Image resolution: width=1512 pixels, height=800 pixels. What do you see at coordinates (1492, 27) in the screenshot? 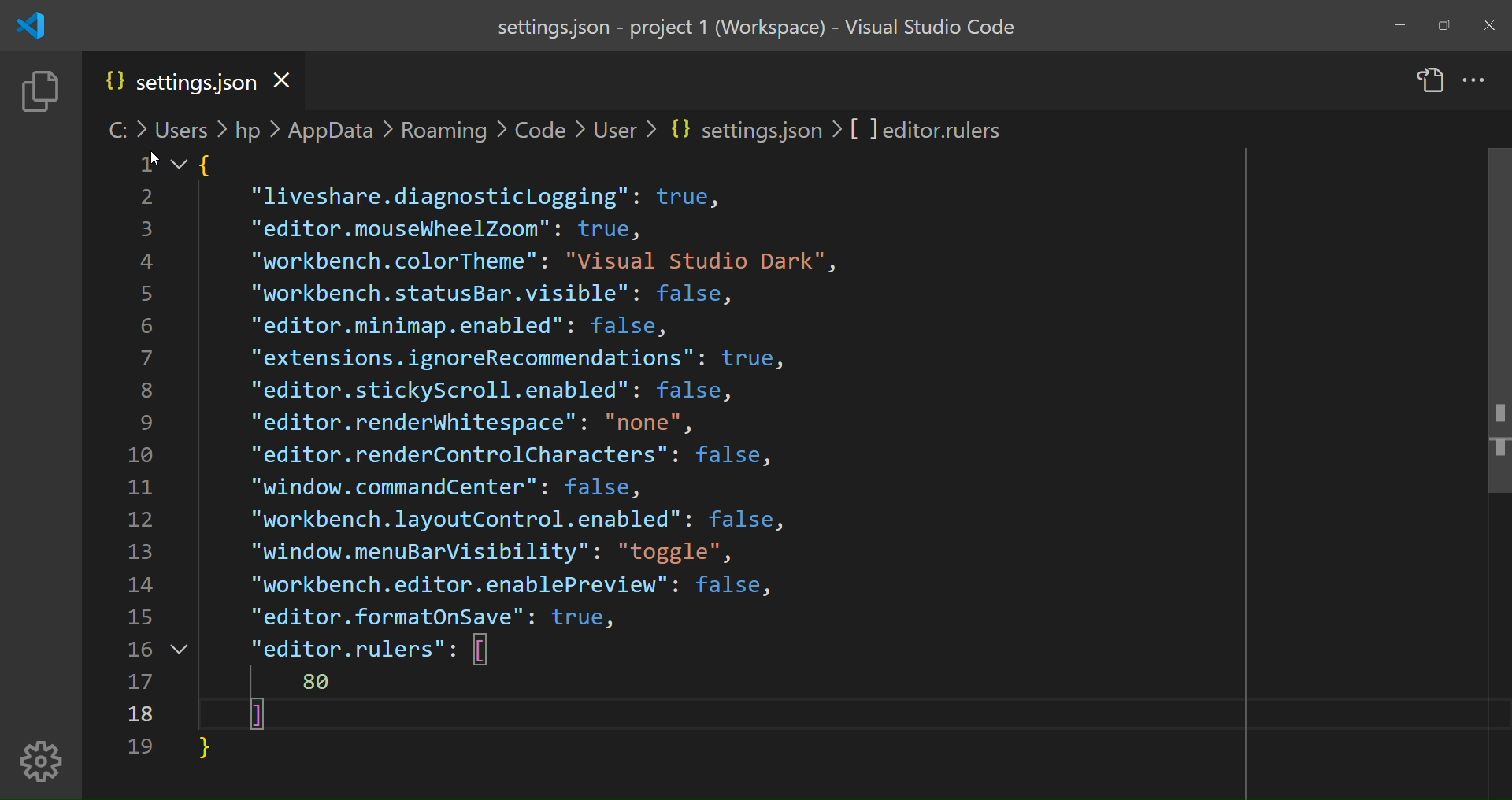
I see `close` at bounding box center [1492, 27].